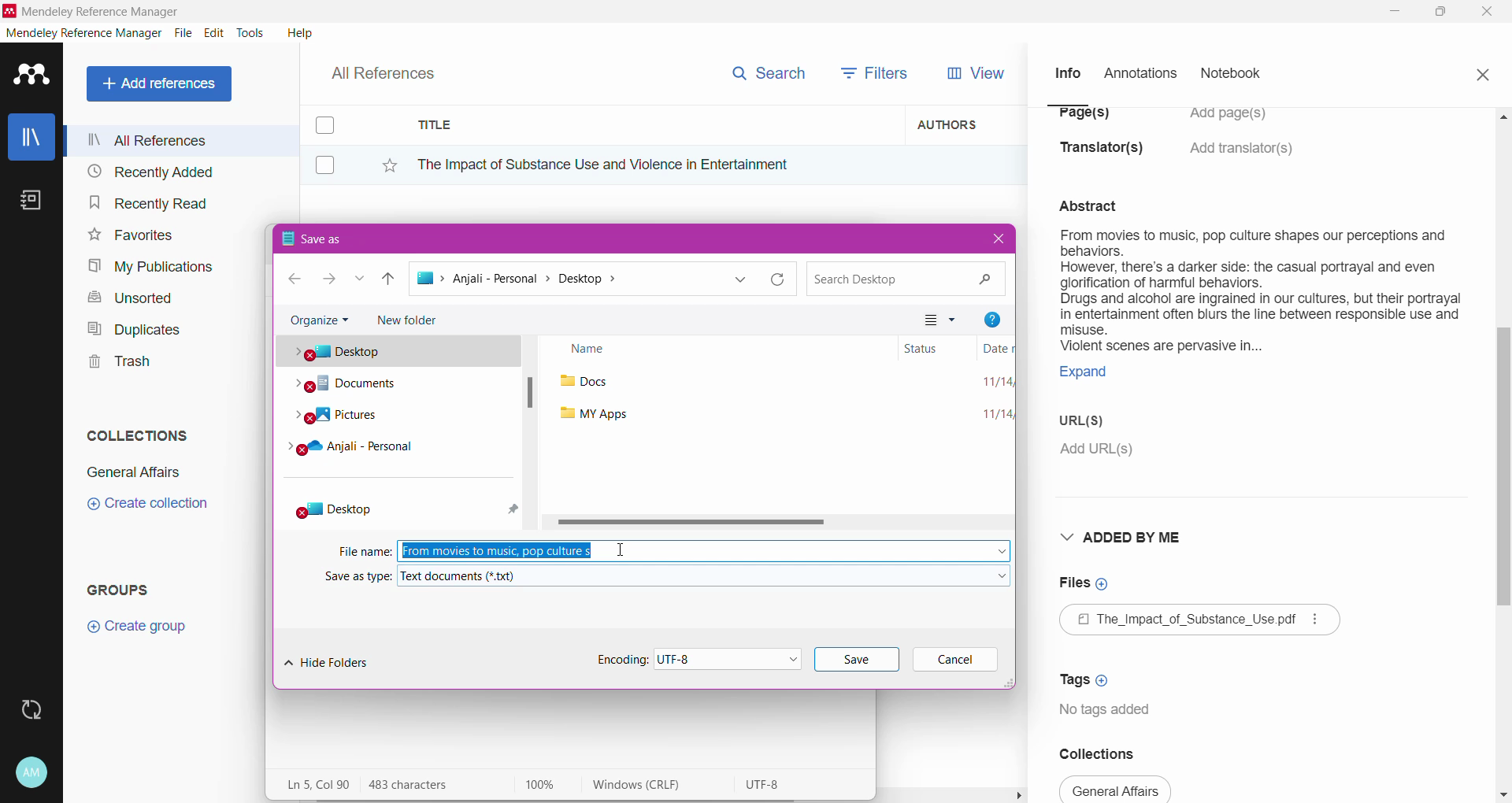 The width and height of the screenshot is (1512, 803). I want to click on Set Encoding Type, so click(684, 658).